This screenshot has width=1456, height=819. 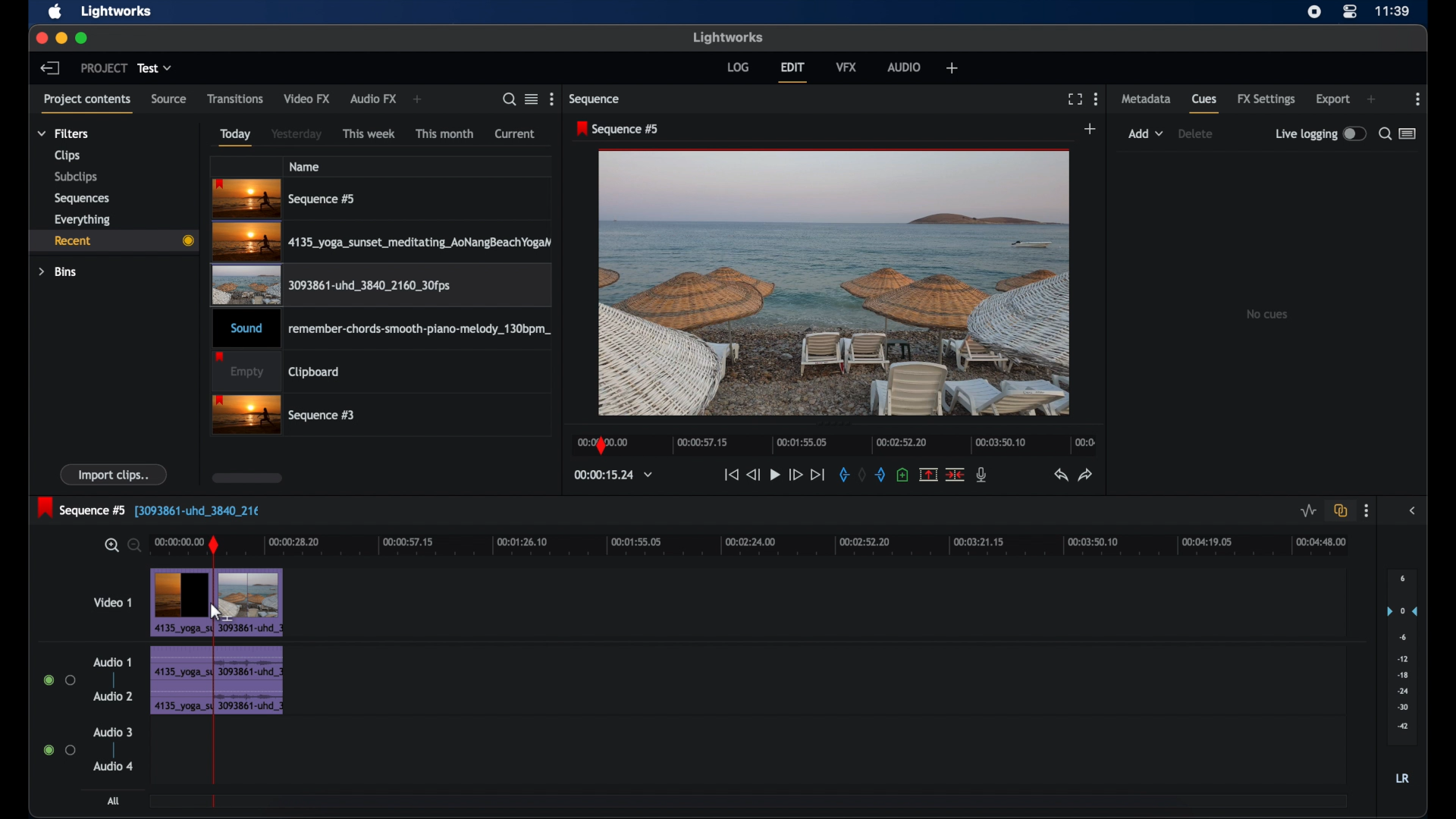 I want to click on log, so click(x=739, y=67).